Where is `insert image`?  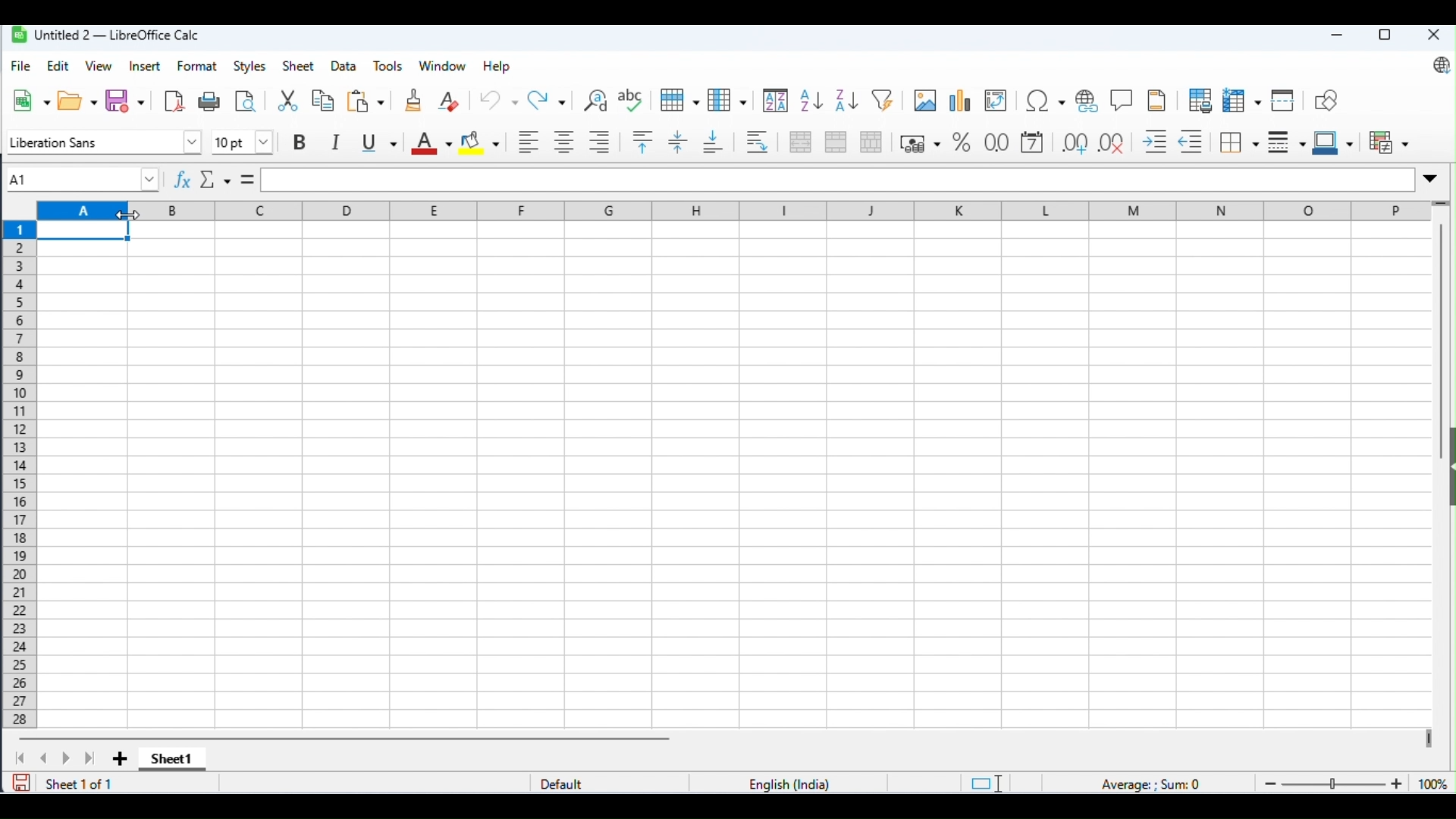
insert image is located at coordinates (924, 100).